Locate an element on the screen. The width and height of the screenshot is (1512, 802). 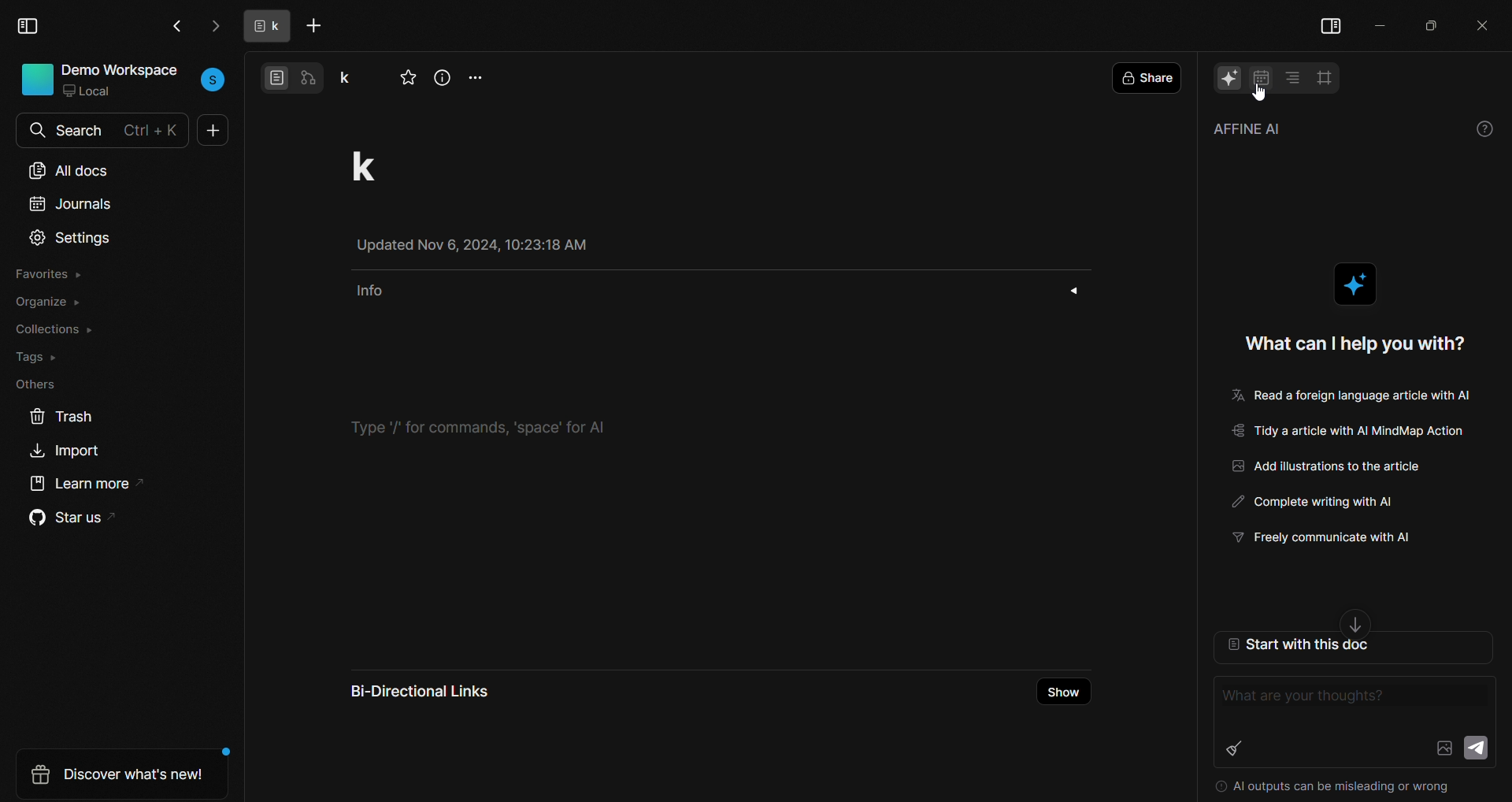
close is located at coordinates (1483, 23).